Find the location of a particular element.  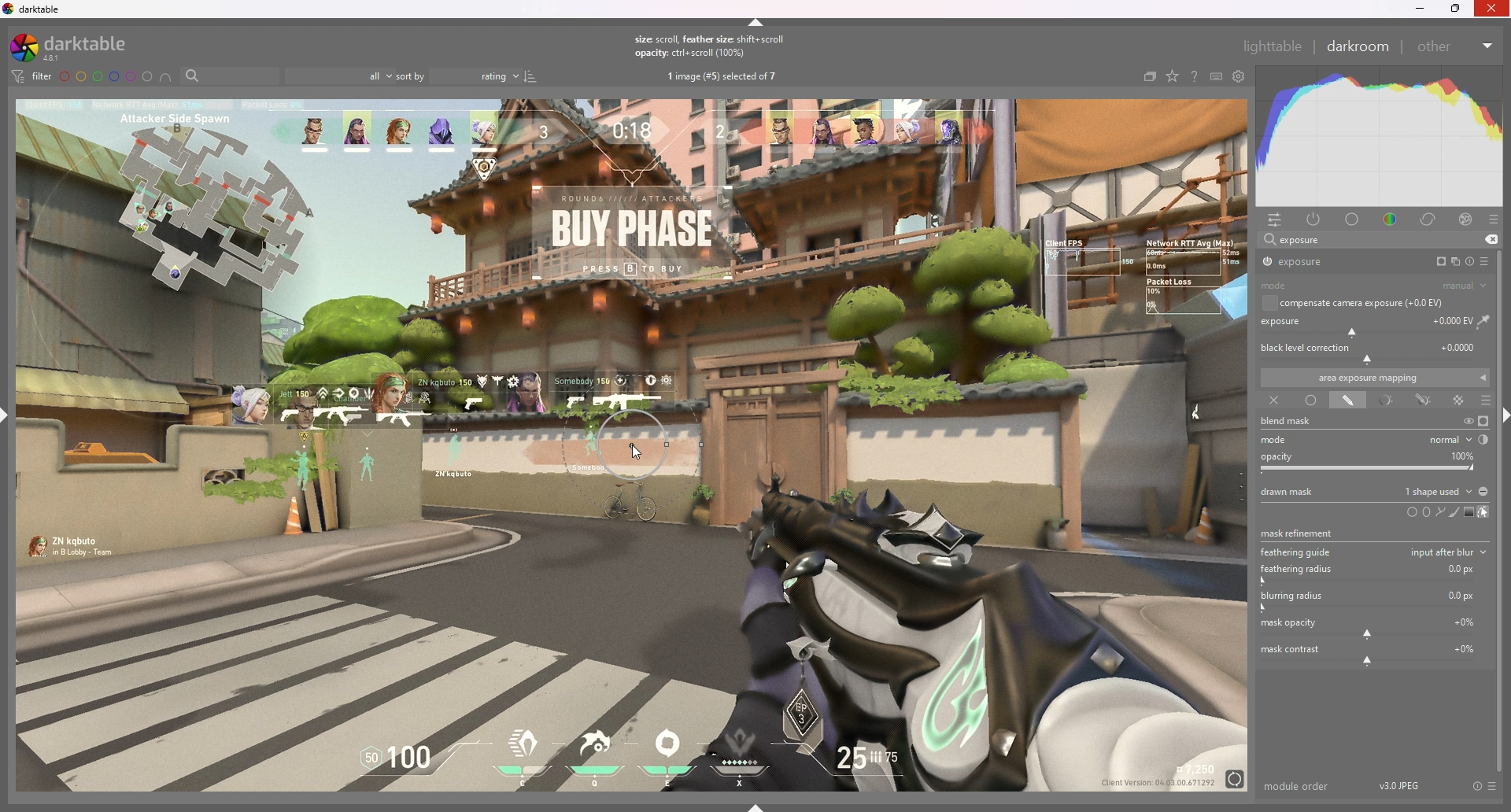

version is located at coordinates (1400, 784).